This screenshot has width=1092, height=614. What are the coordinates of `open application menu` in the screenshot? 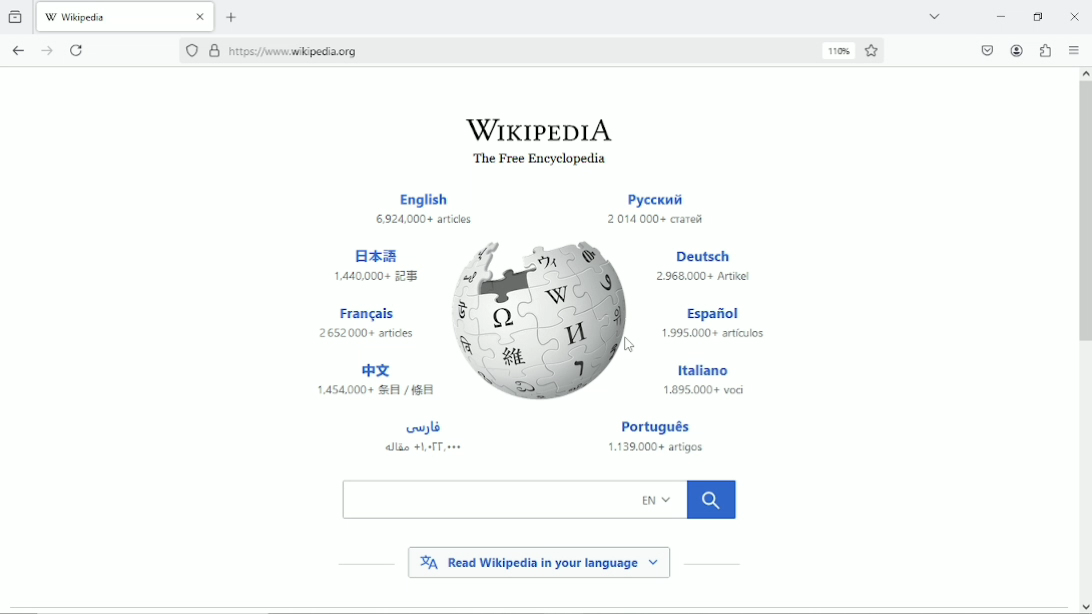 It's located at (1073, 50).